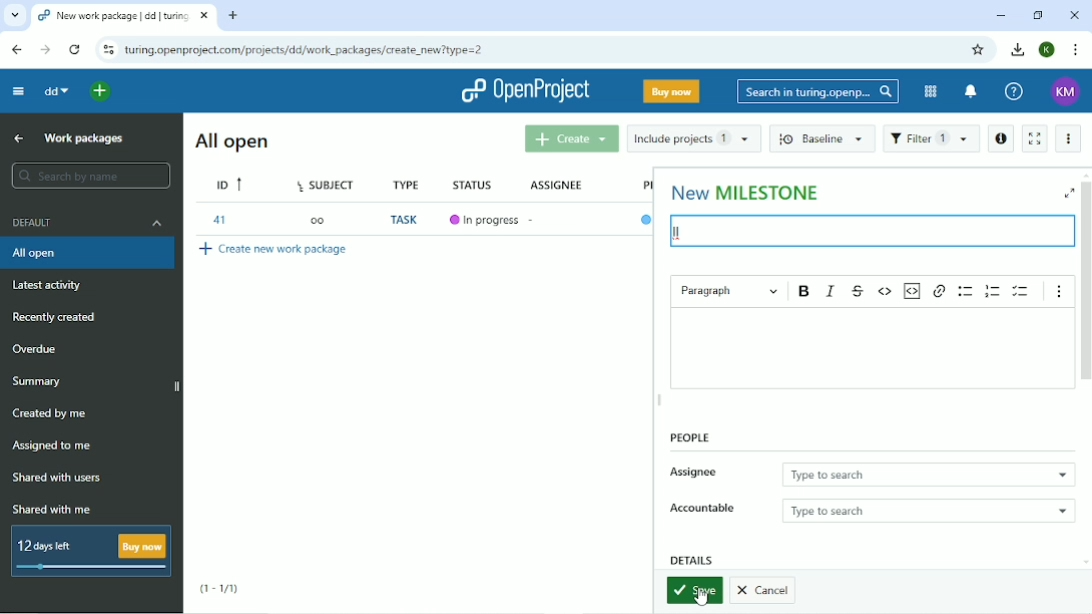 The width and height of the screenshot is (1092, 614). I want to click on (1-1/1), so click(220, 587).